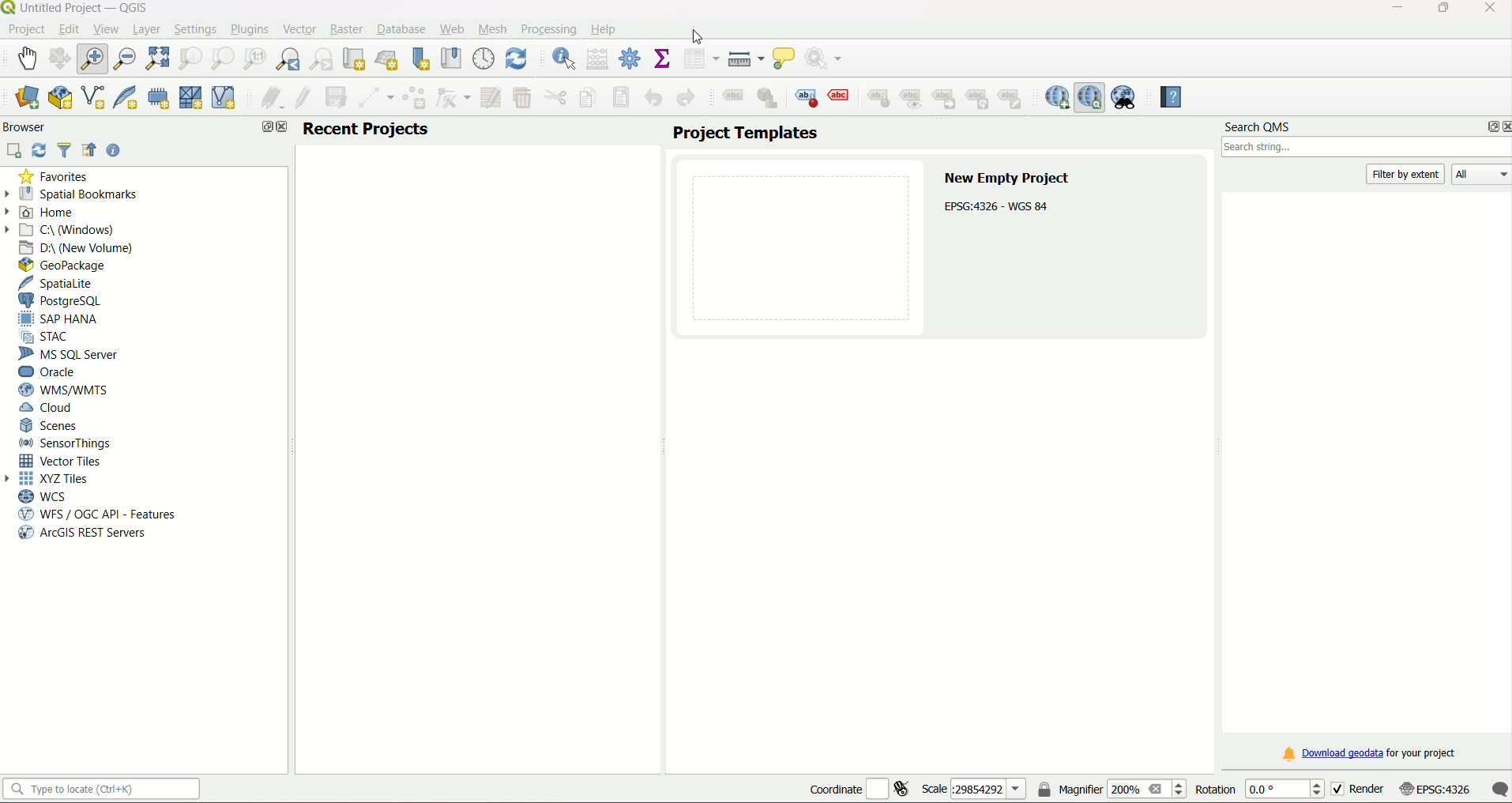 This screenshot has height=803, width=1512. Describe the element at coordinates (829, 59) in the screenshot. I see `run feature action` at that location.